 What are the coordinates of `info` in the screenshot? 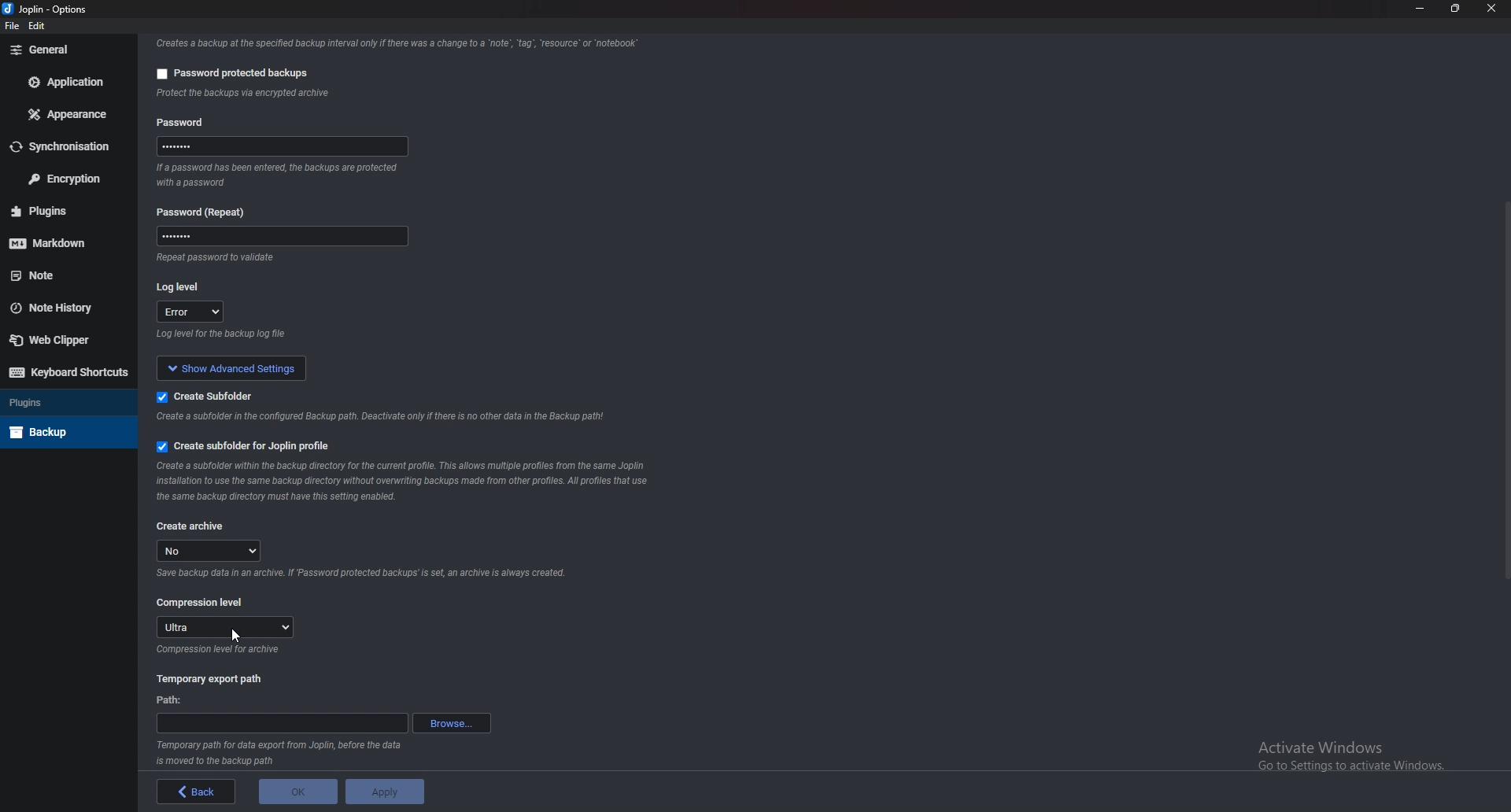 It's located at (384, 418).